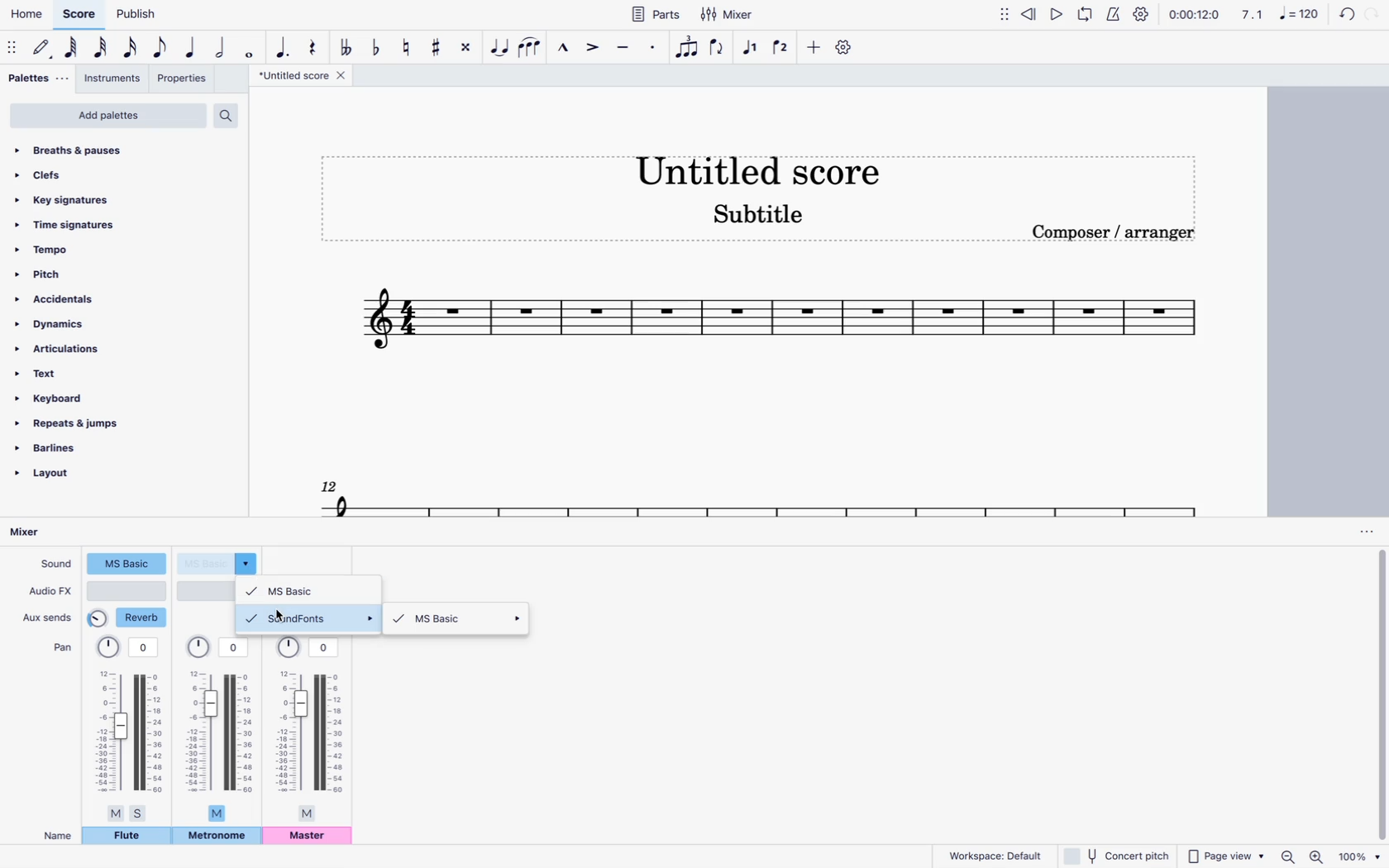 The width and height of the screenshot is (1389, 868). I want to click on metronome, so click(1116, 14).